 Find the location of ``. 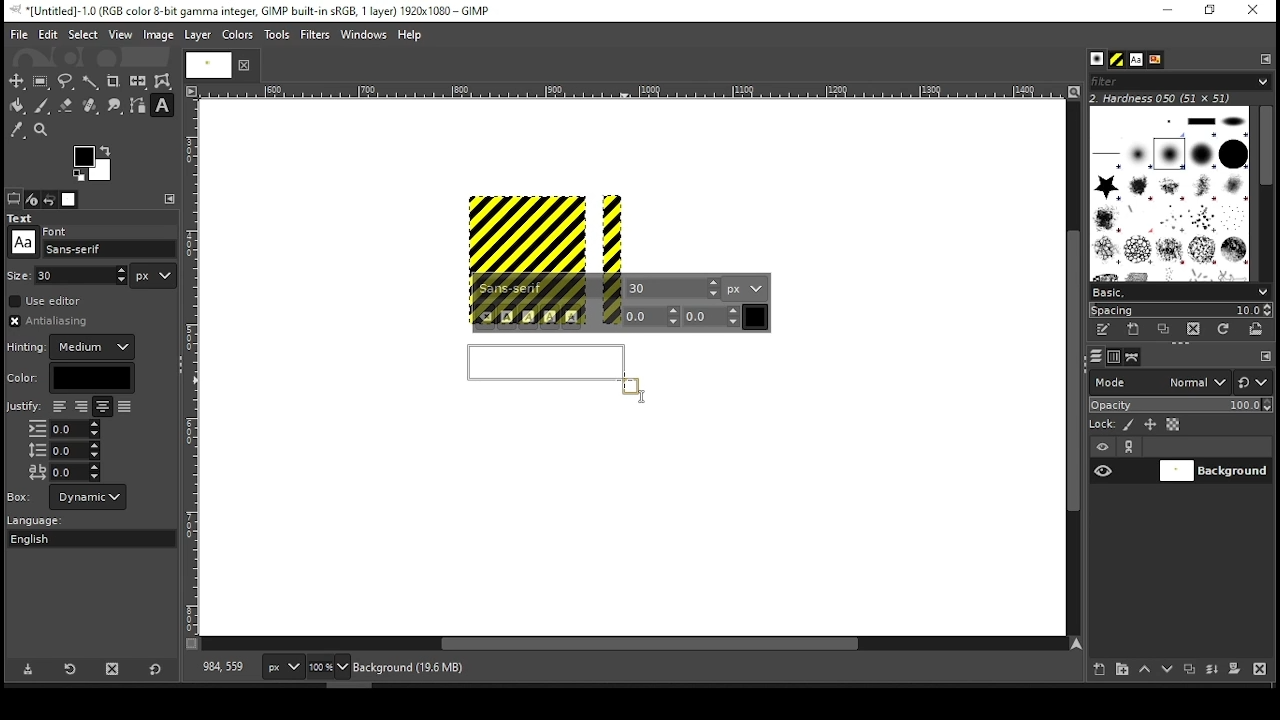

 is located at coordinates (20, 496).